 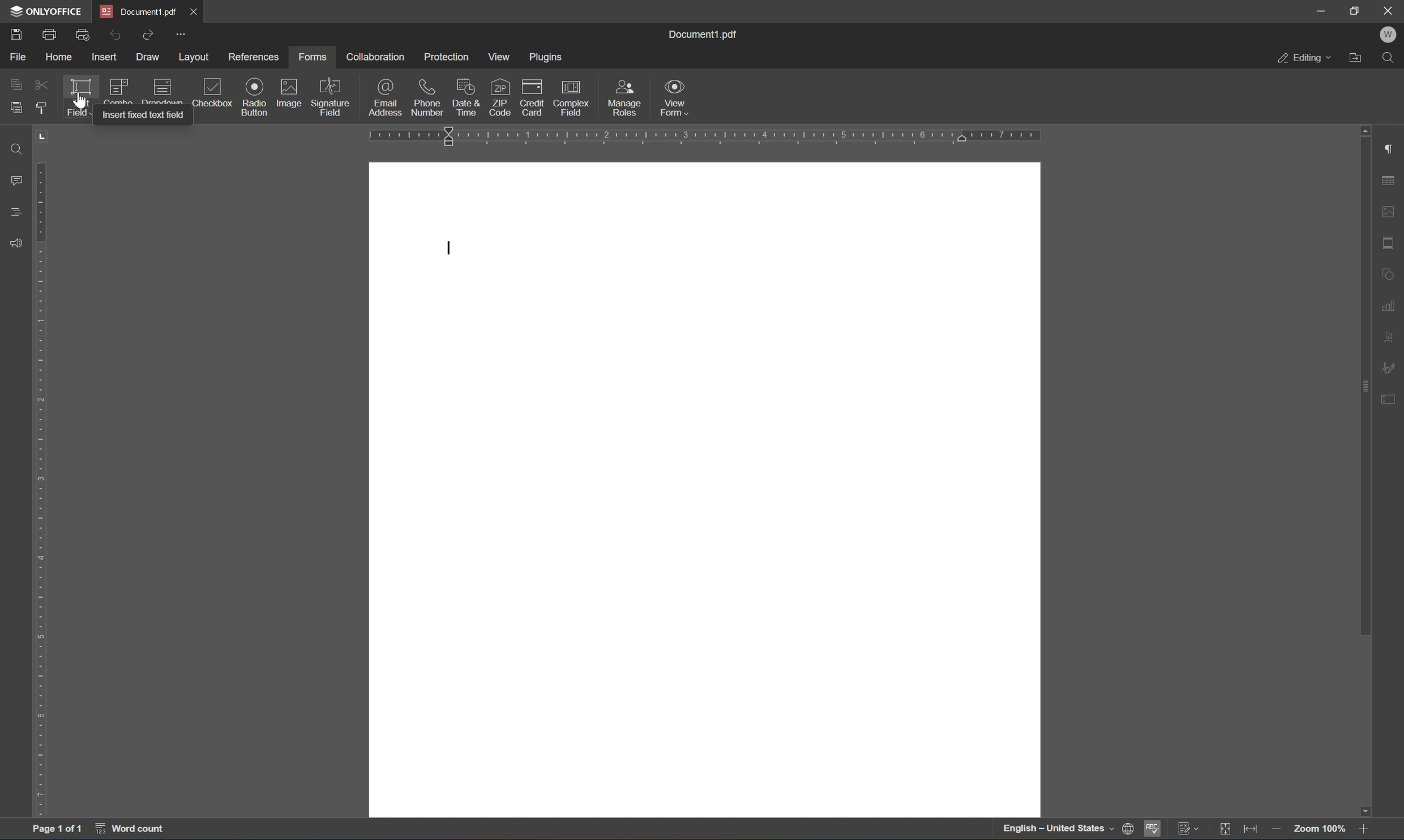 What do you see at coordinates (17, 36) in the screenshot?
I see `save` at bounding box center [17, 36].